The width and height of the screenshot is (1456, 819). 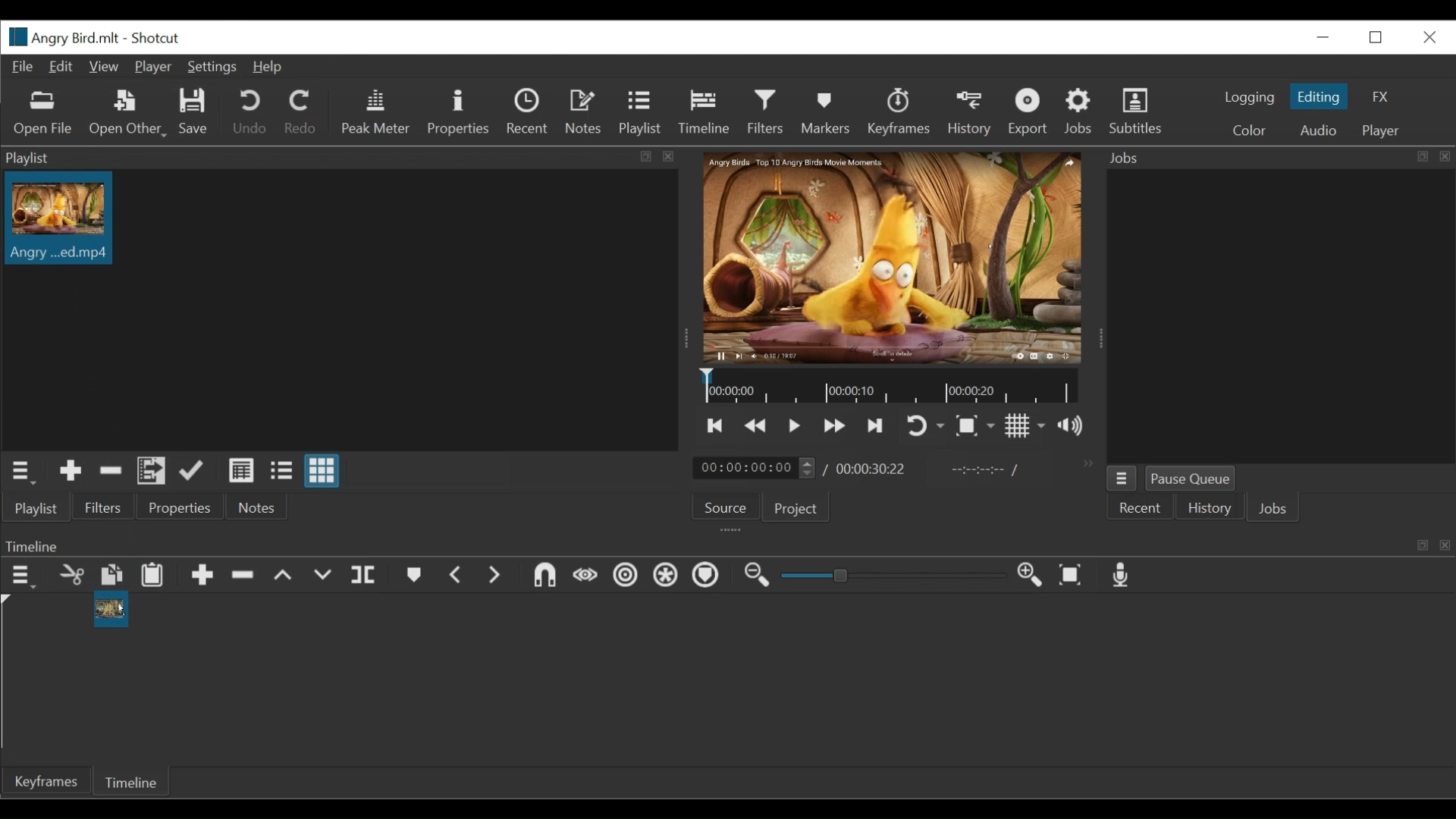 I want to click on Jobs menu, so click(x=1122, y=479).